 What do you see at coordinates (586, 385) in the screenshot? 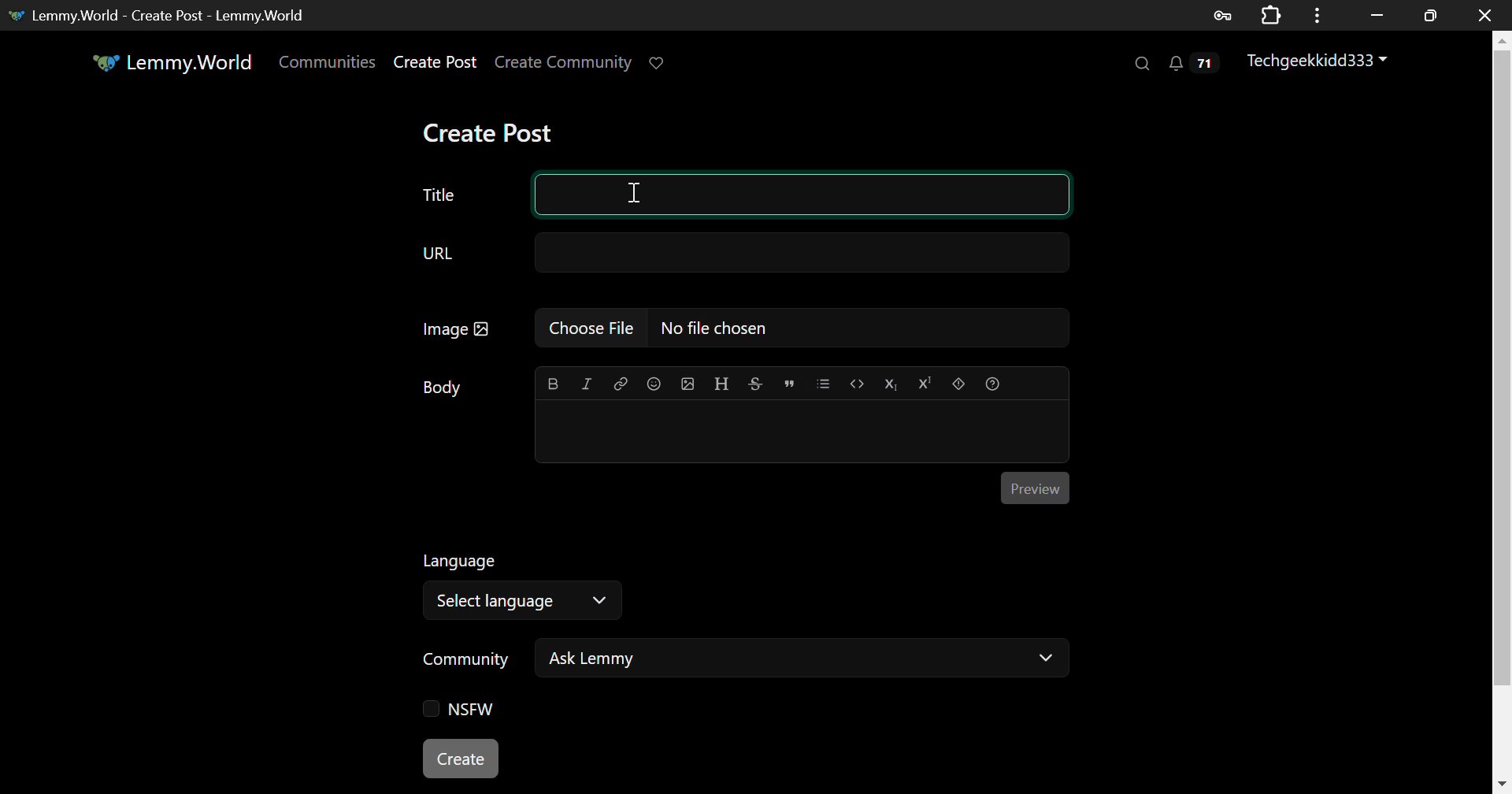
I see `Italic` at bounding box center [586, 385].